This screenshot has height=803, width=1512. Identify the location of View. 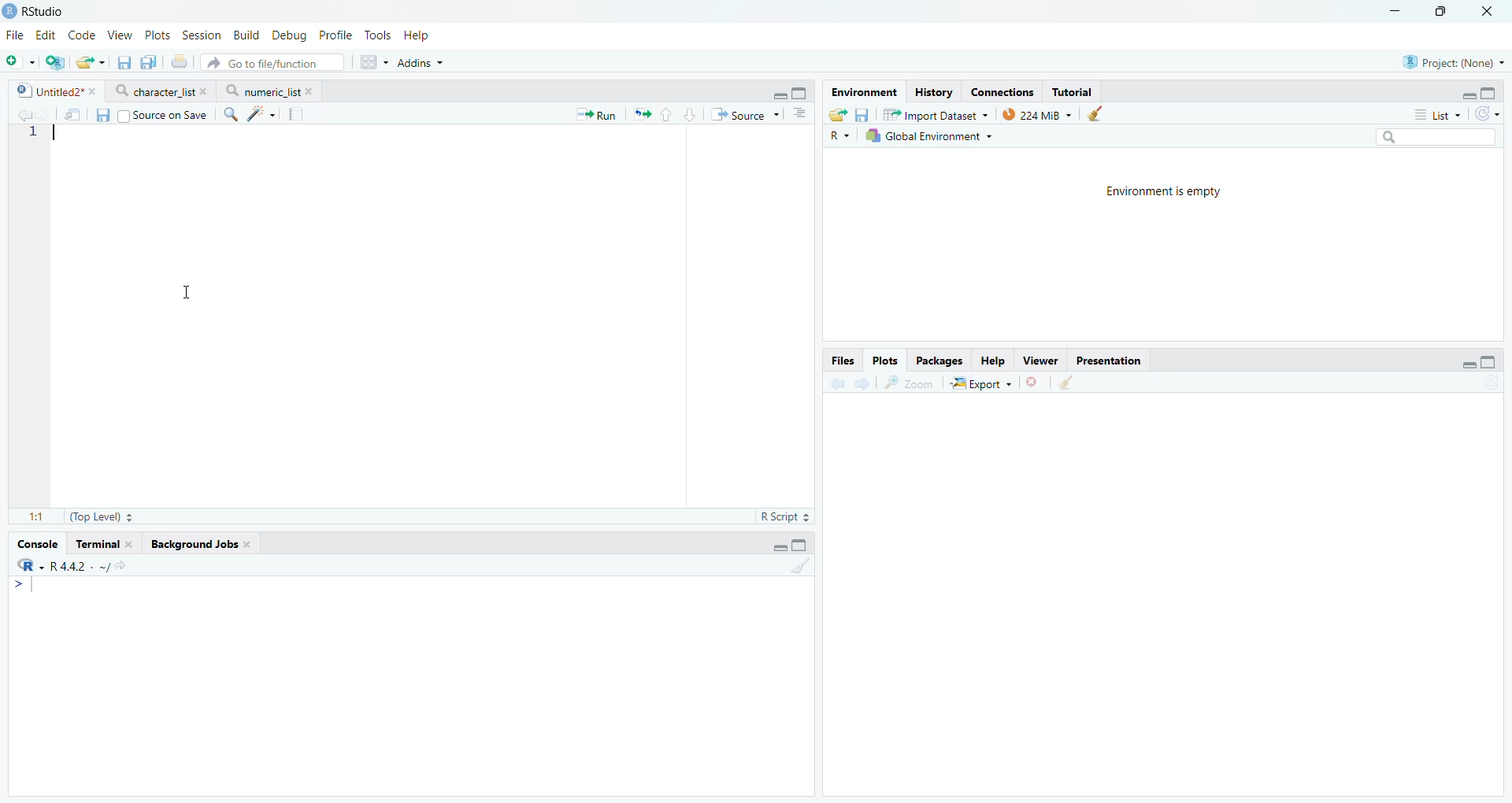
(122, 33).